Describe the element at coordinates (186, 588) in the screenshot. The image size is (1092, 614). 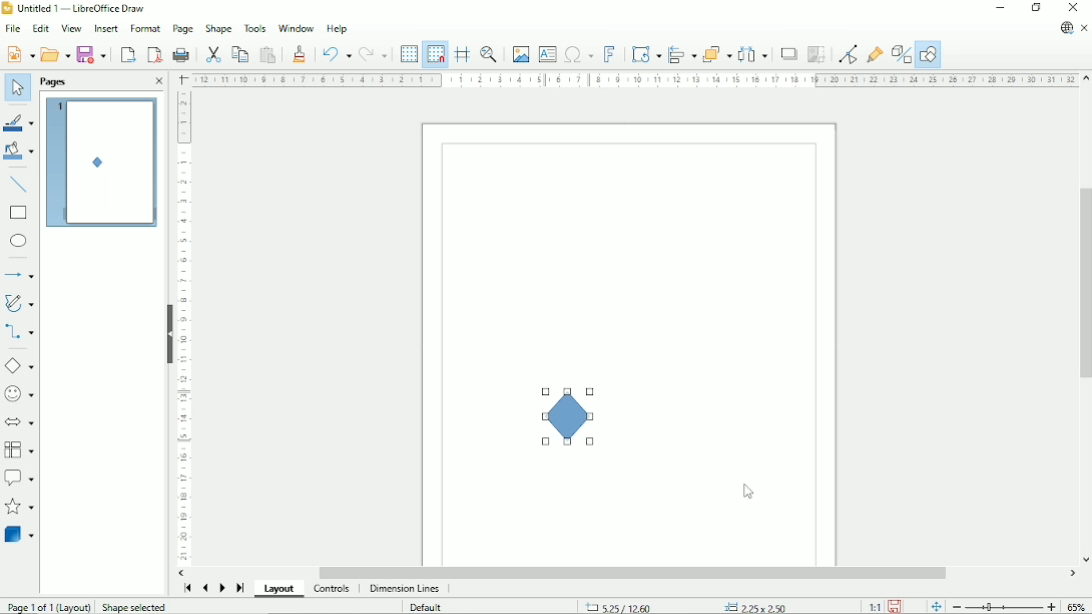
I see `Scroll to first page` at that location.